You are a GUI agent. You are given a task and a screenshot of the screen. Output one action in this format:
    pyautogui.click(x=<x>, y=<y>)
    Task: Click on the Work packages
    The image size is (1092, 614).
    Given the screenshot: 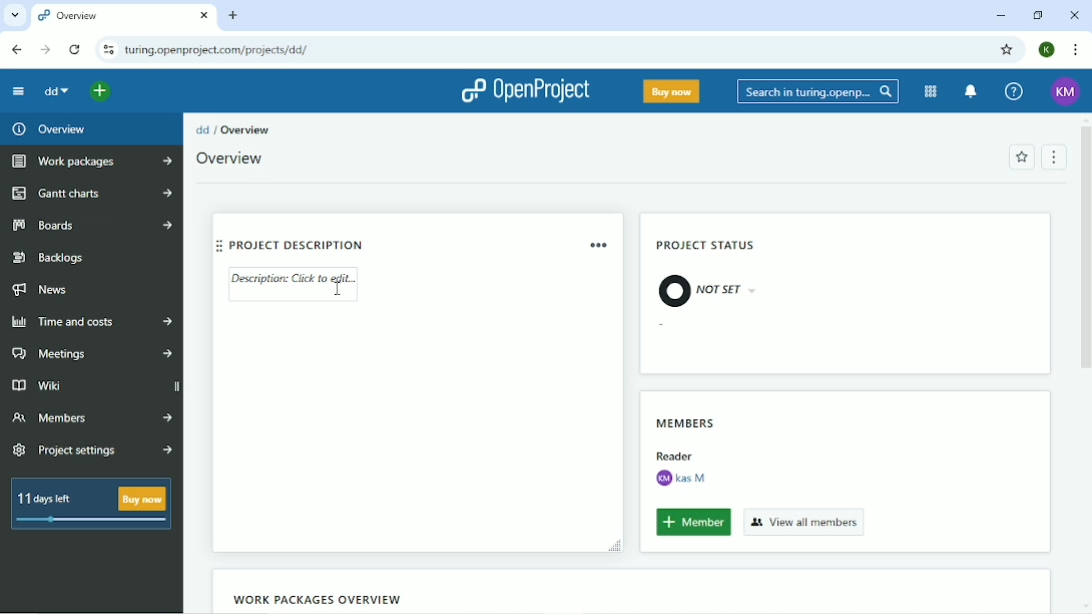 What is the action you would take?
    pyautogui.click(x=89, y=162)
    